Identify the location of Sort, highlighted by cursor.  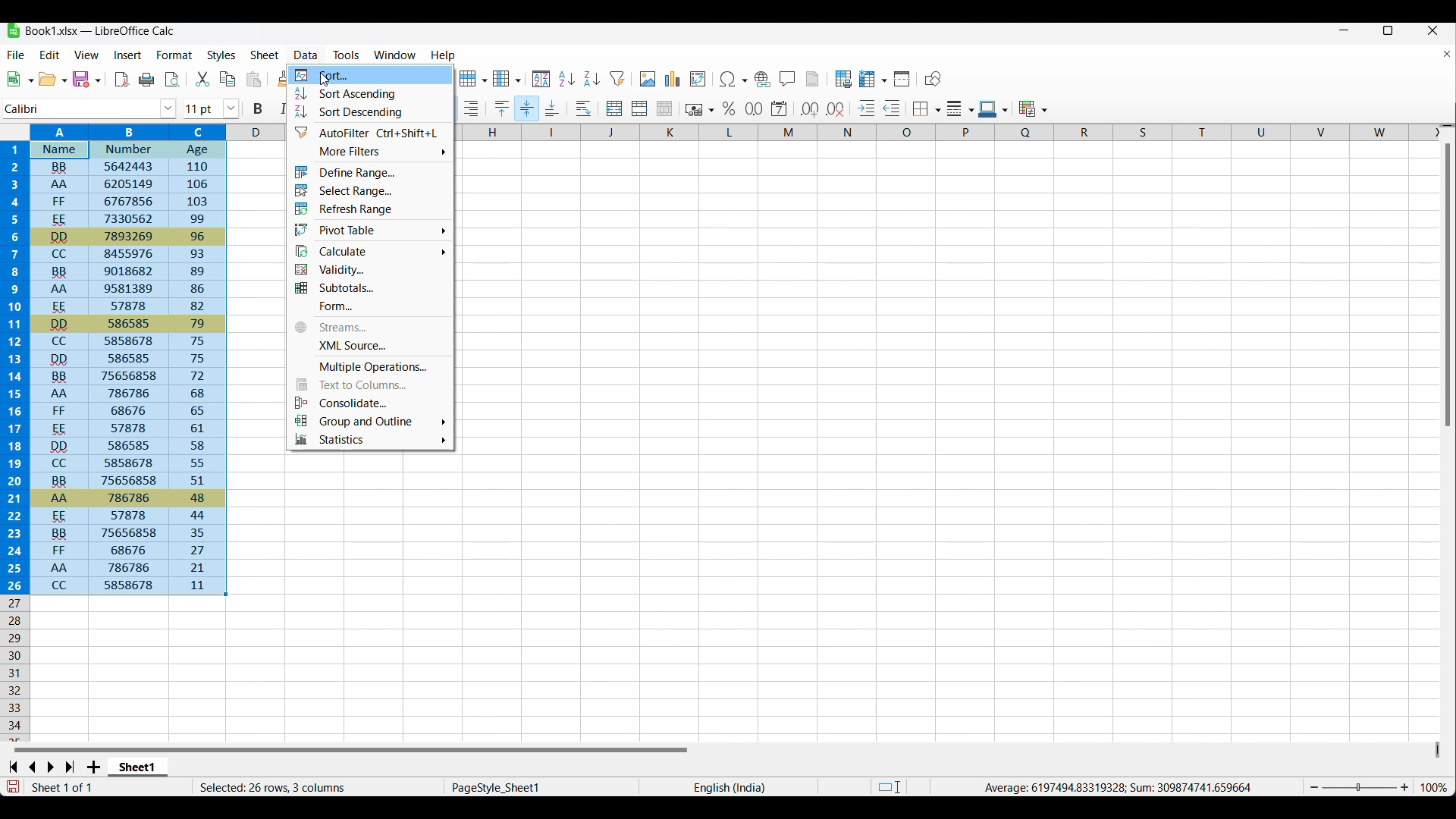
(370, 75).